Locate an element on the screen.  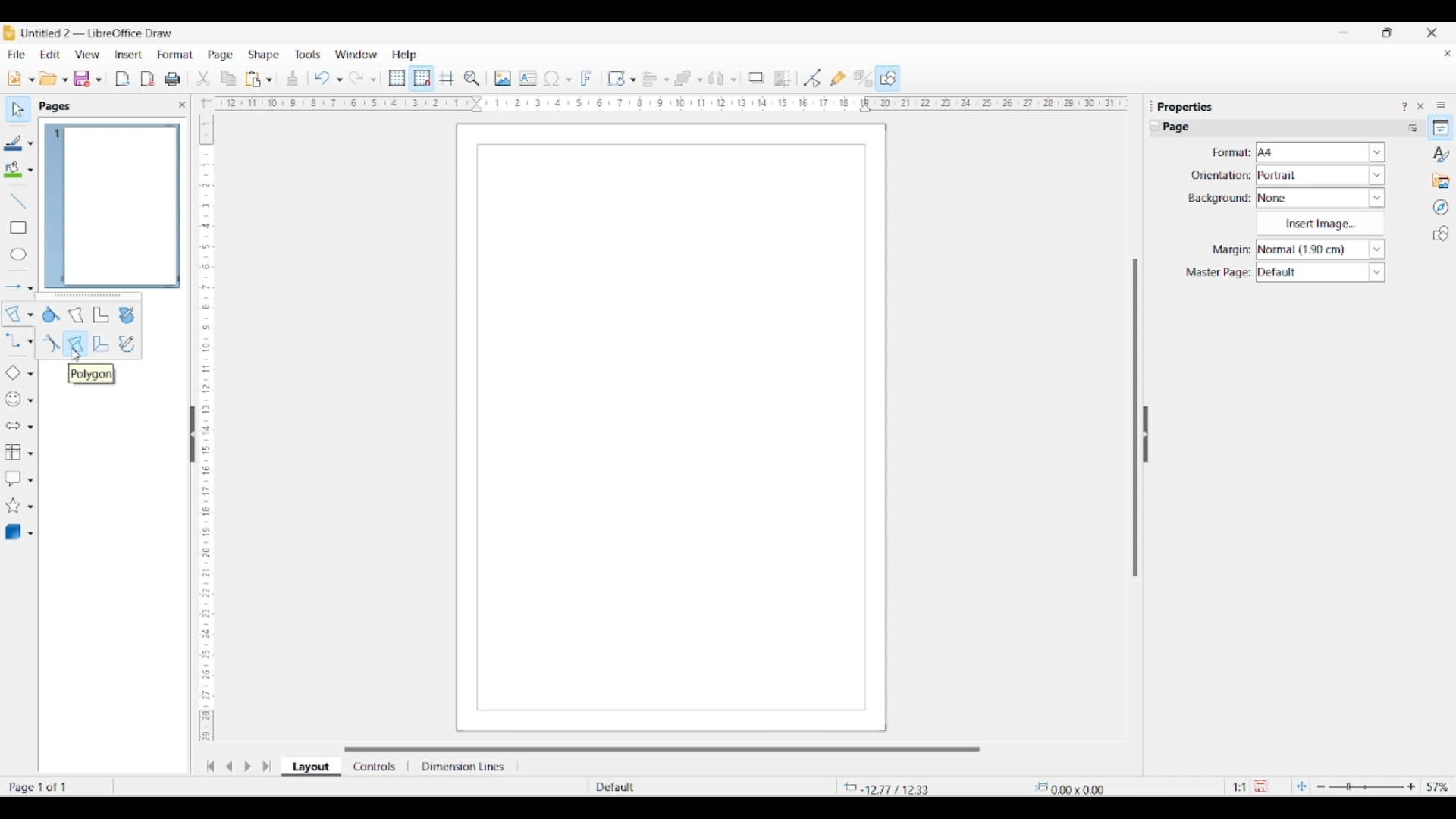
Window is located at coordinates (356, 55).